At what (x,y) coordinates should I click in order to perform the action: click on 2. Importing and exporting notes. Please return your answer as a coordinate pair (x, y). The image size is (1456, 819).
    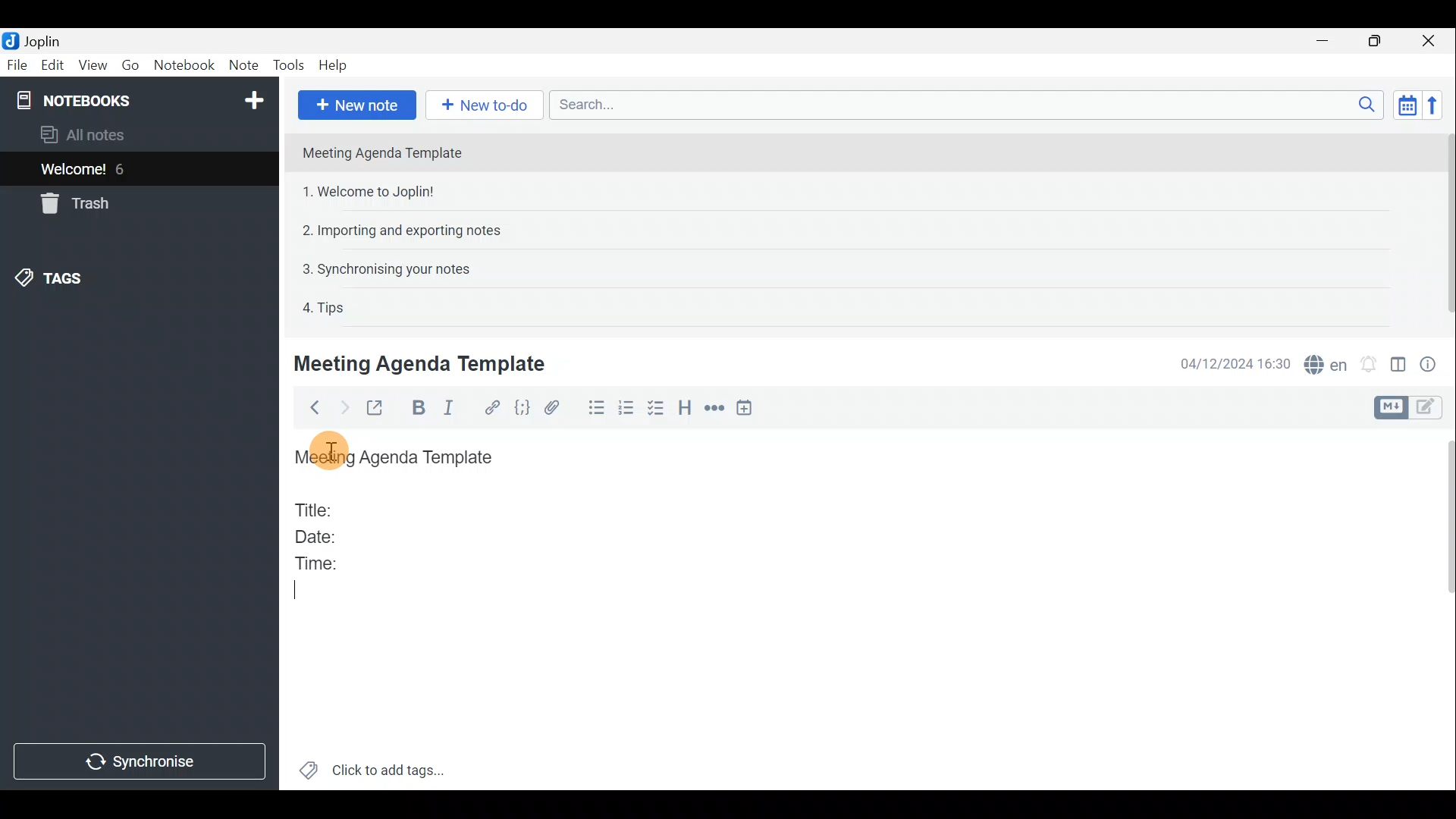
    Looking at the image, I should click on (407, 231).